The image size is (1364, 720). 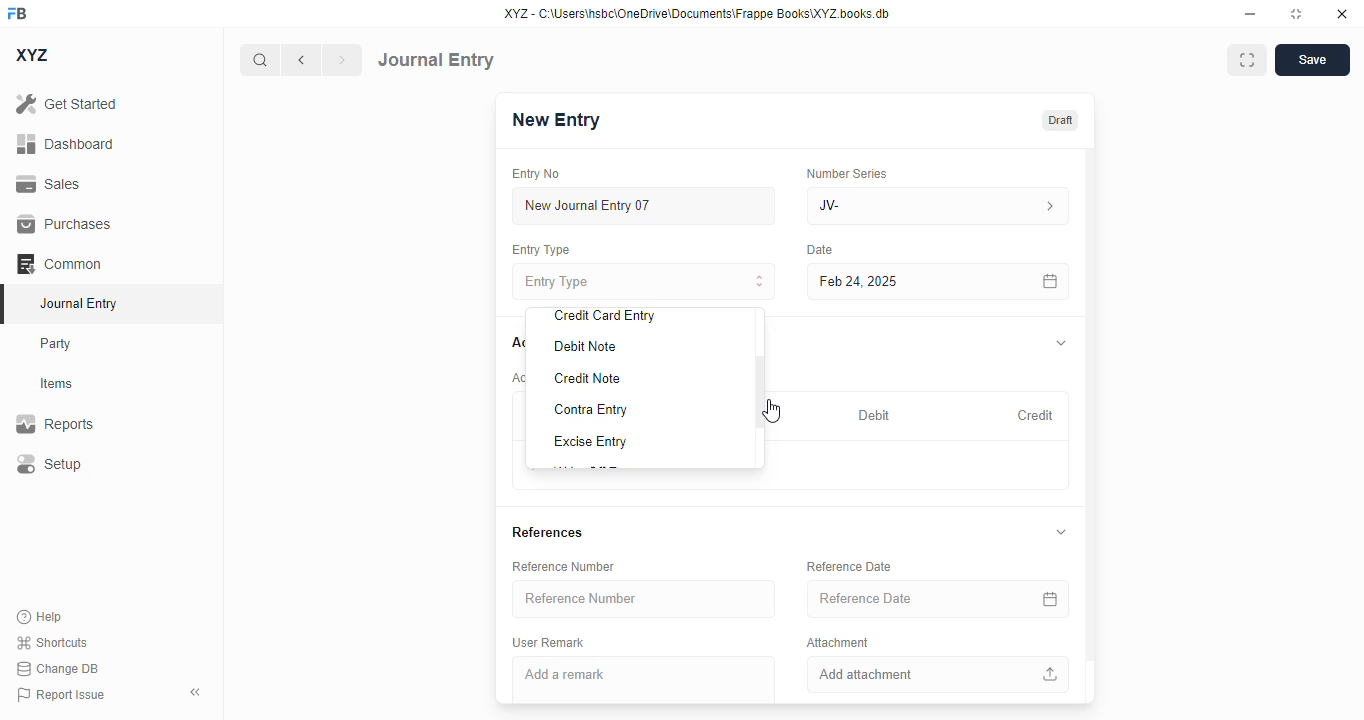 What do you see at coordinates (1063, 532) in the screenshot?
I see `toggle expand/collapse` at bounding box center [1063, 532].